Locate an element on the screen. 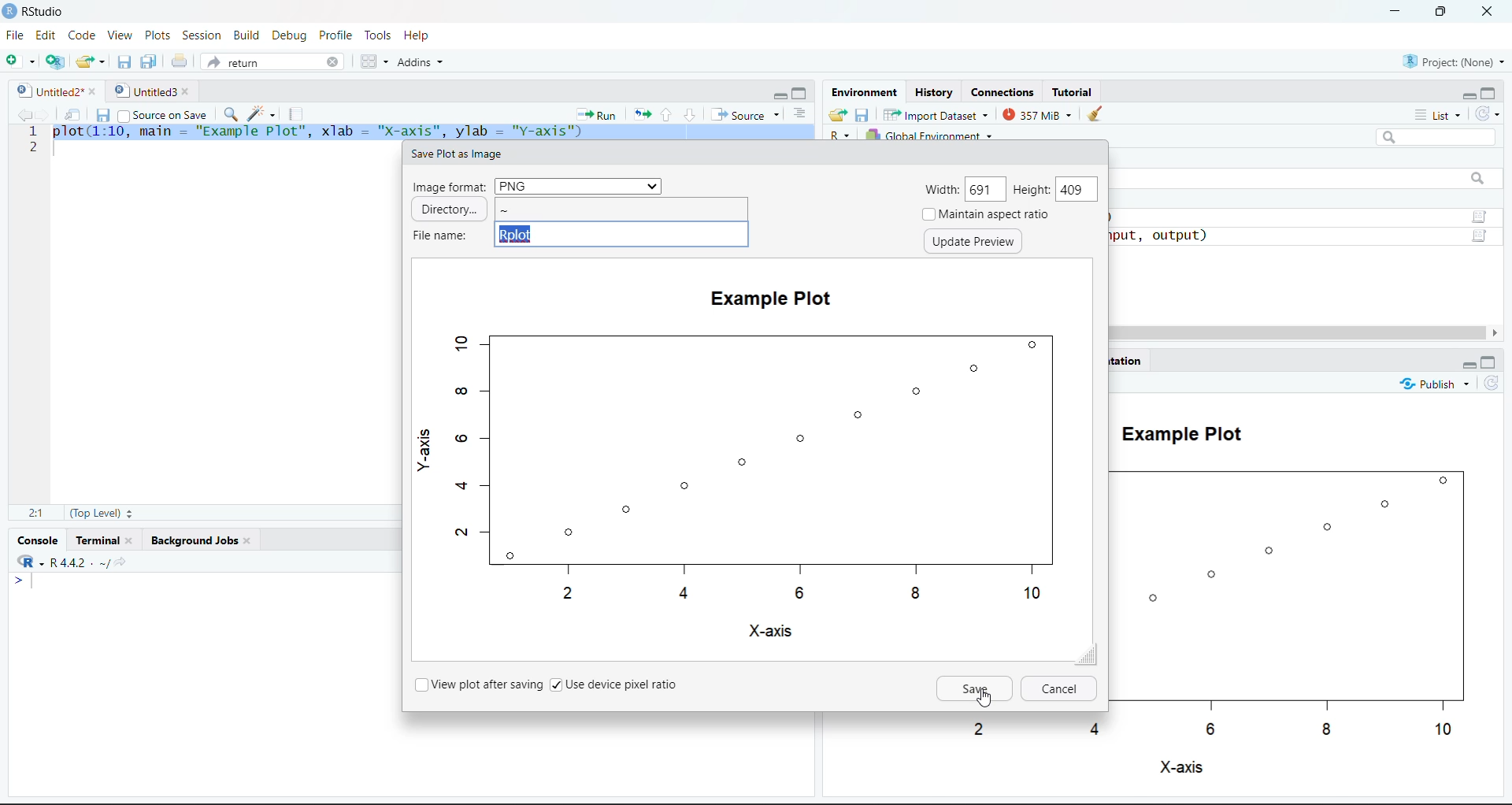 The height and width of the screenshot is (805, 1512). X-axis is located at coordinates (769, 631).